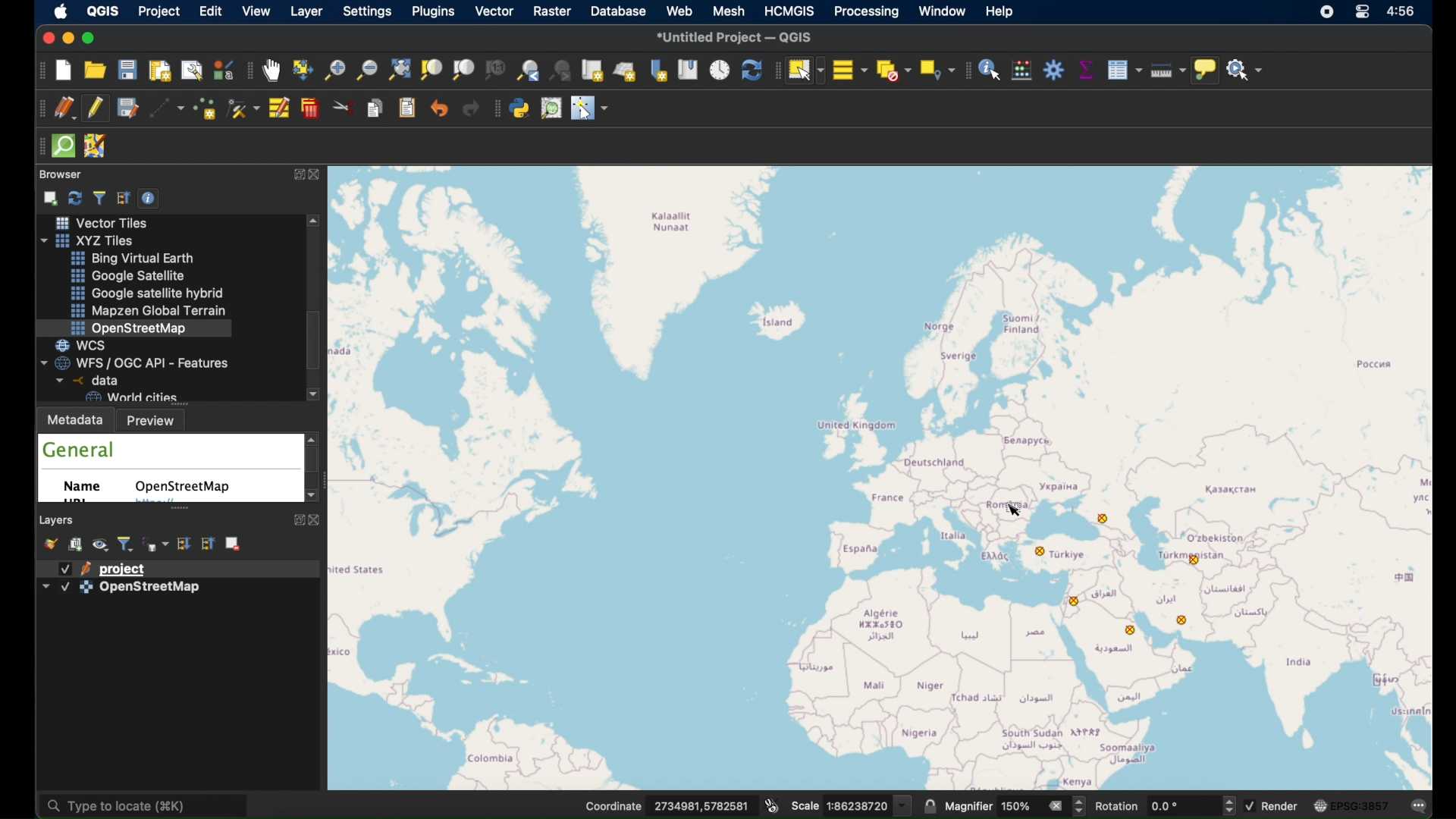 The image size is (1456, 819). Describe the element at coordinates (96, 146) in the screenshot. I see `josh remote` at that location.